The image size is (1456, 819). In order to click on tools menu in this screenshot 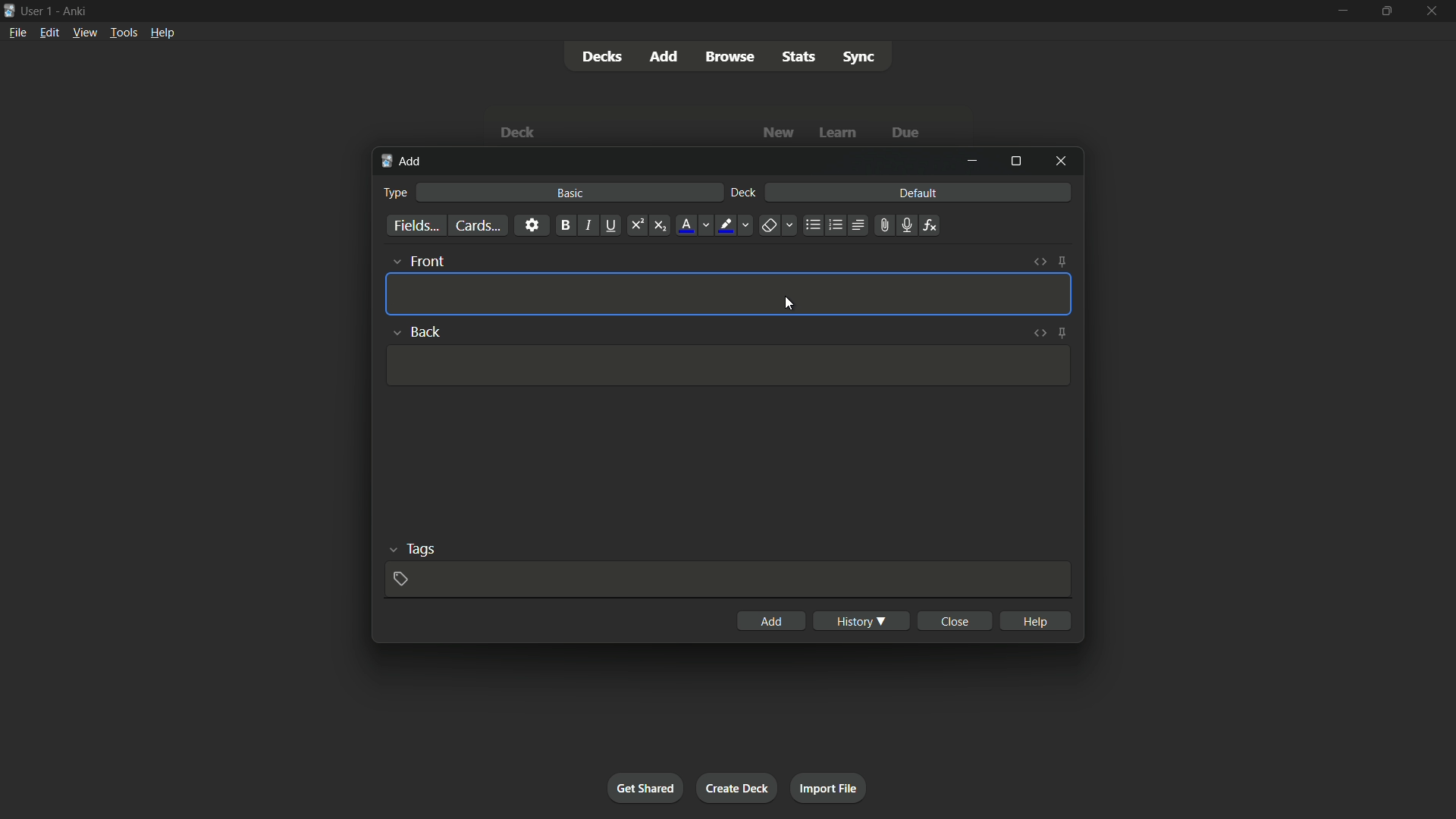, I will do `click(123, 32)`.